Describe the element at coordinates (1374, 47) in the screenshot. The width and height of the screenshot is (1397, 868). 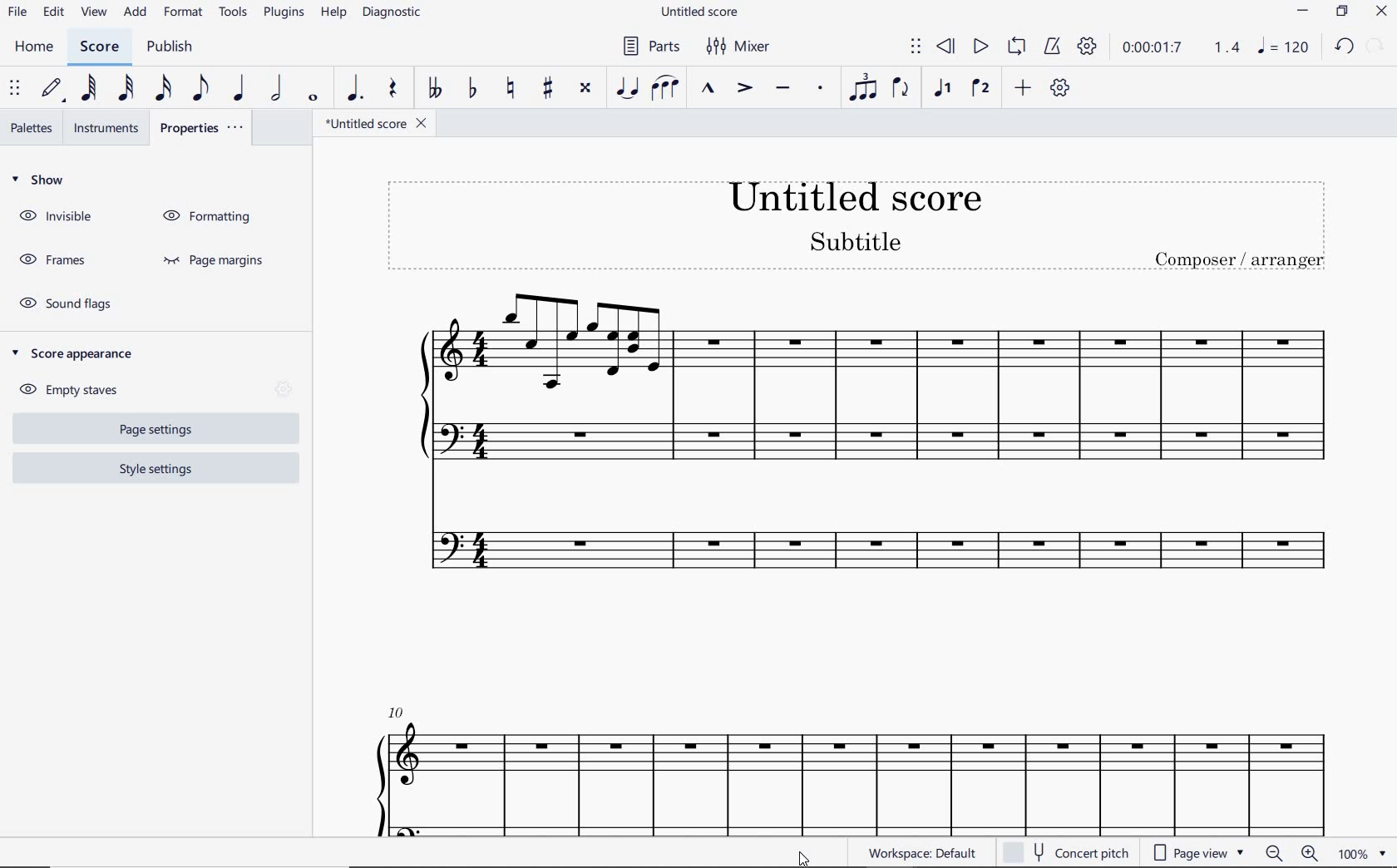
I see `REDO` at that location.